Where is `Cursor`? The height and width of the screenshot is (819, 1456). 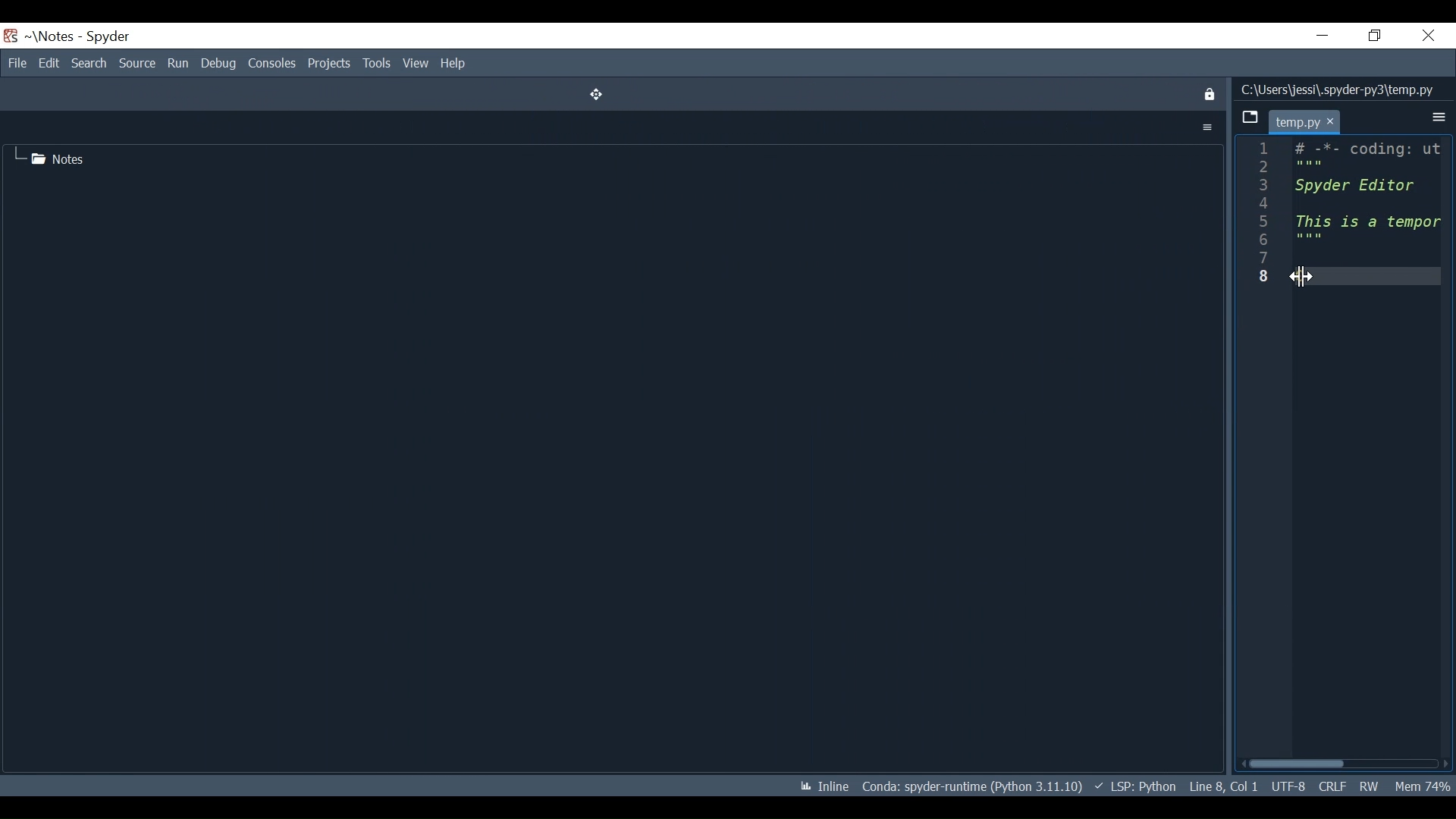
Cursor is located at coordinates (1304, 277).